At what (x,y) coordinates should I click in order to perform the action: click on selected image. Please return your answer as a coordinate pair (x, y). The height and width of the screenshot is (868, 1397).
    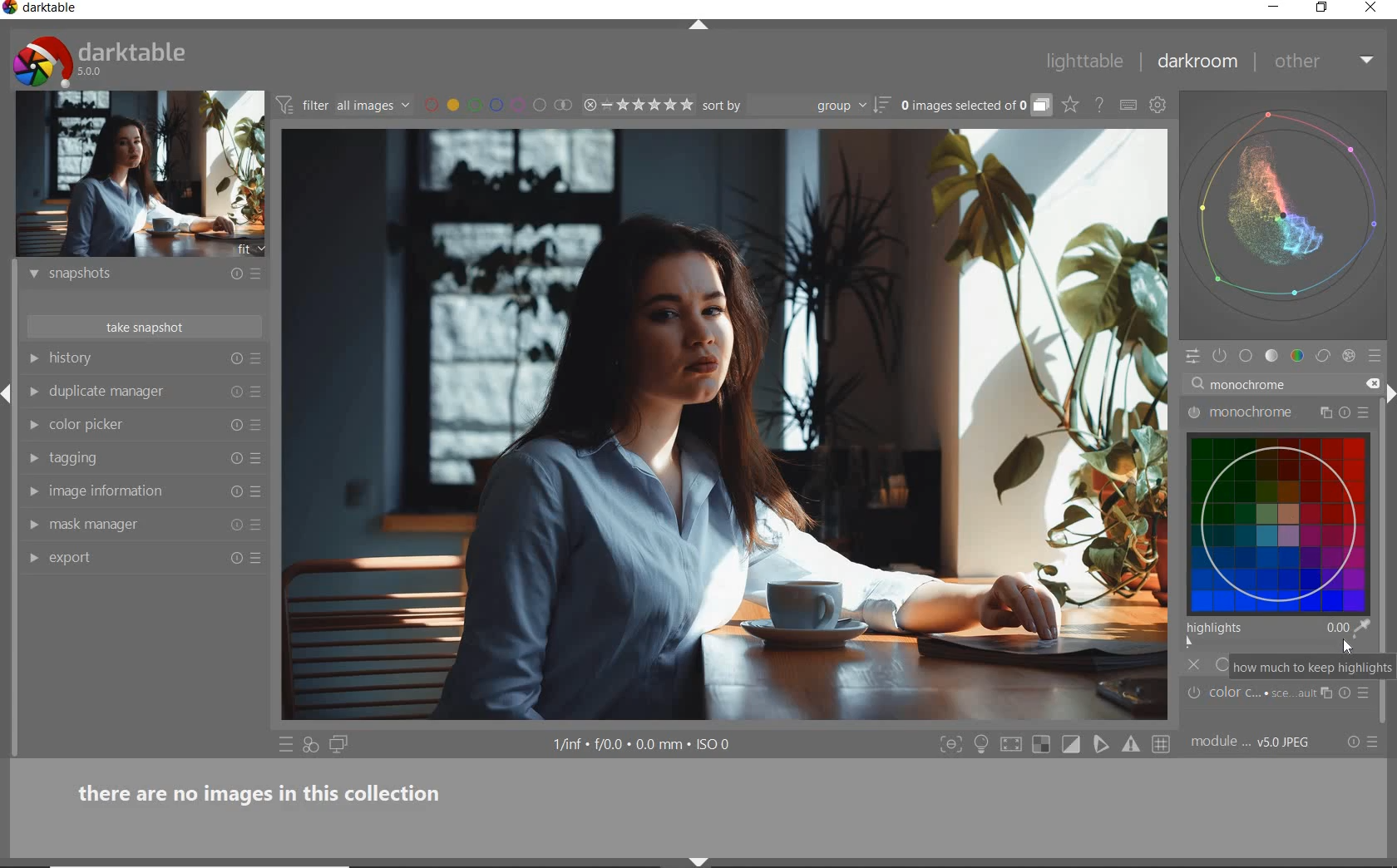
    Looking at the image, I should click on (723, 426).